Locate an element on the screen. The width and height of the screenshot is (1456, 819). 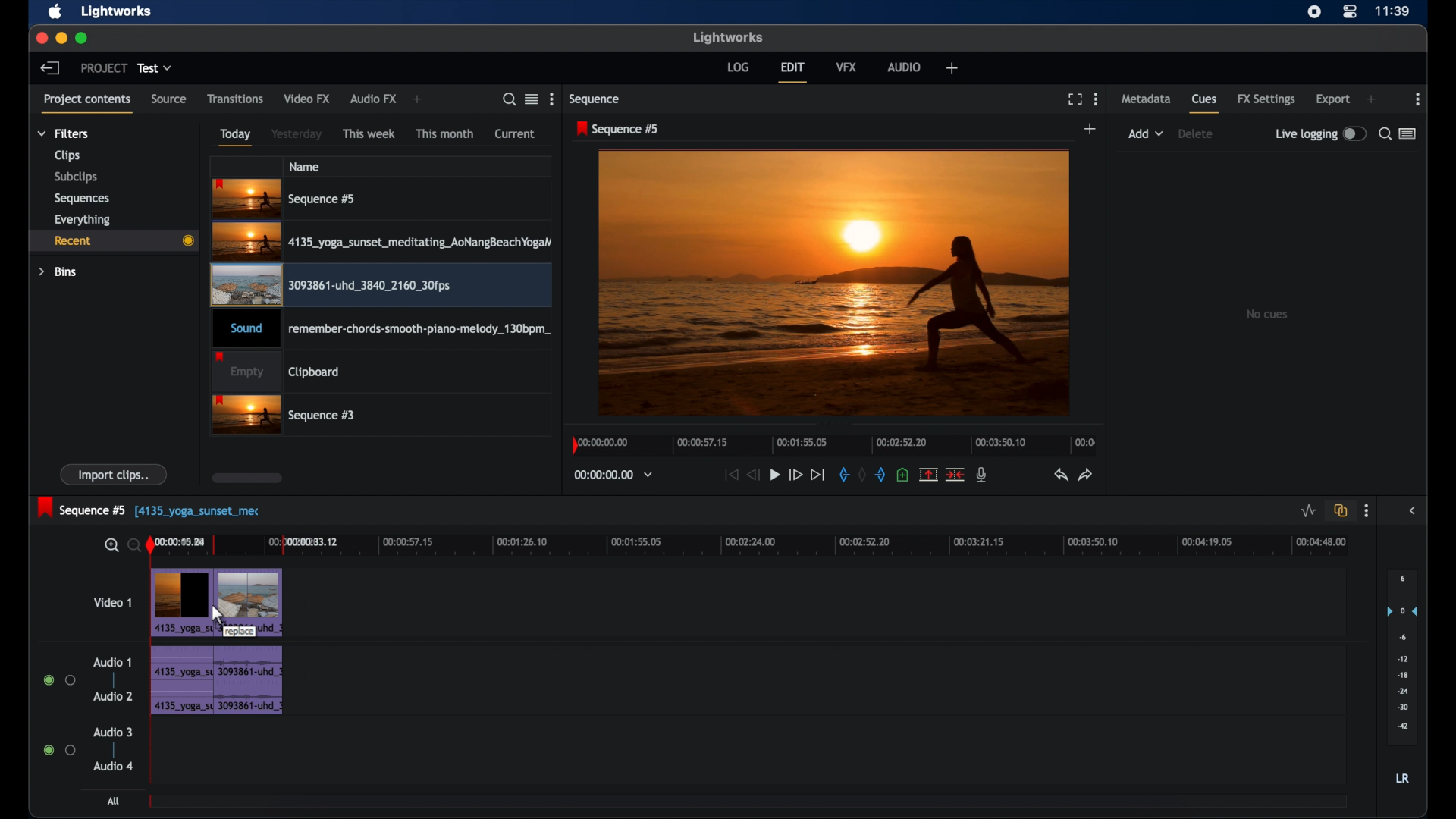
video clip is located at coordinates (381, 286).